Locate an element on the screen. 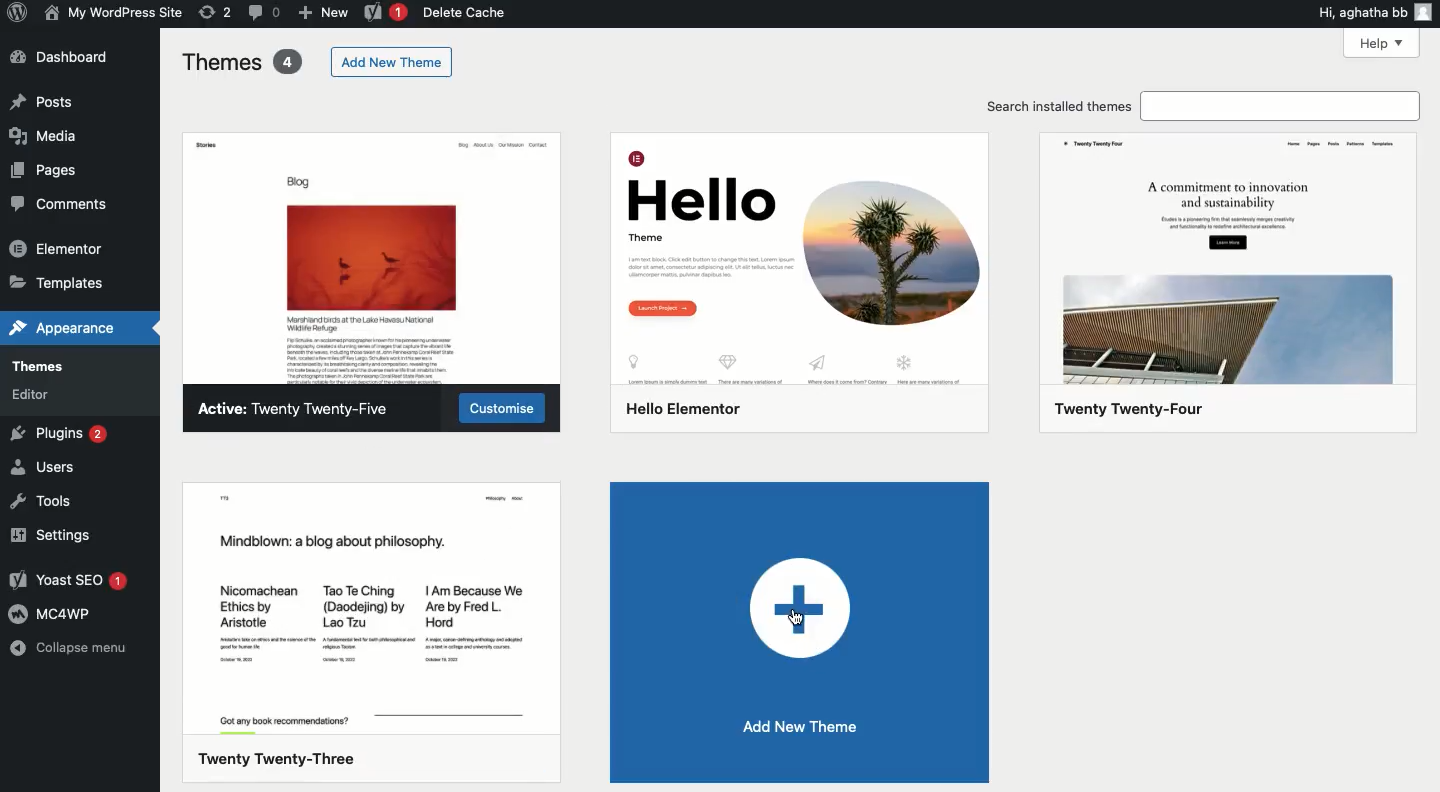 Image resolution: width=1440 pixels, height=792 pixels. Themes 4 is located at coordinates (242, 62).